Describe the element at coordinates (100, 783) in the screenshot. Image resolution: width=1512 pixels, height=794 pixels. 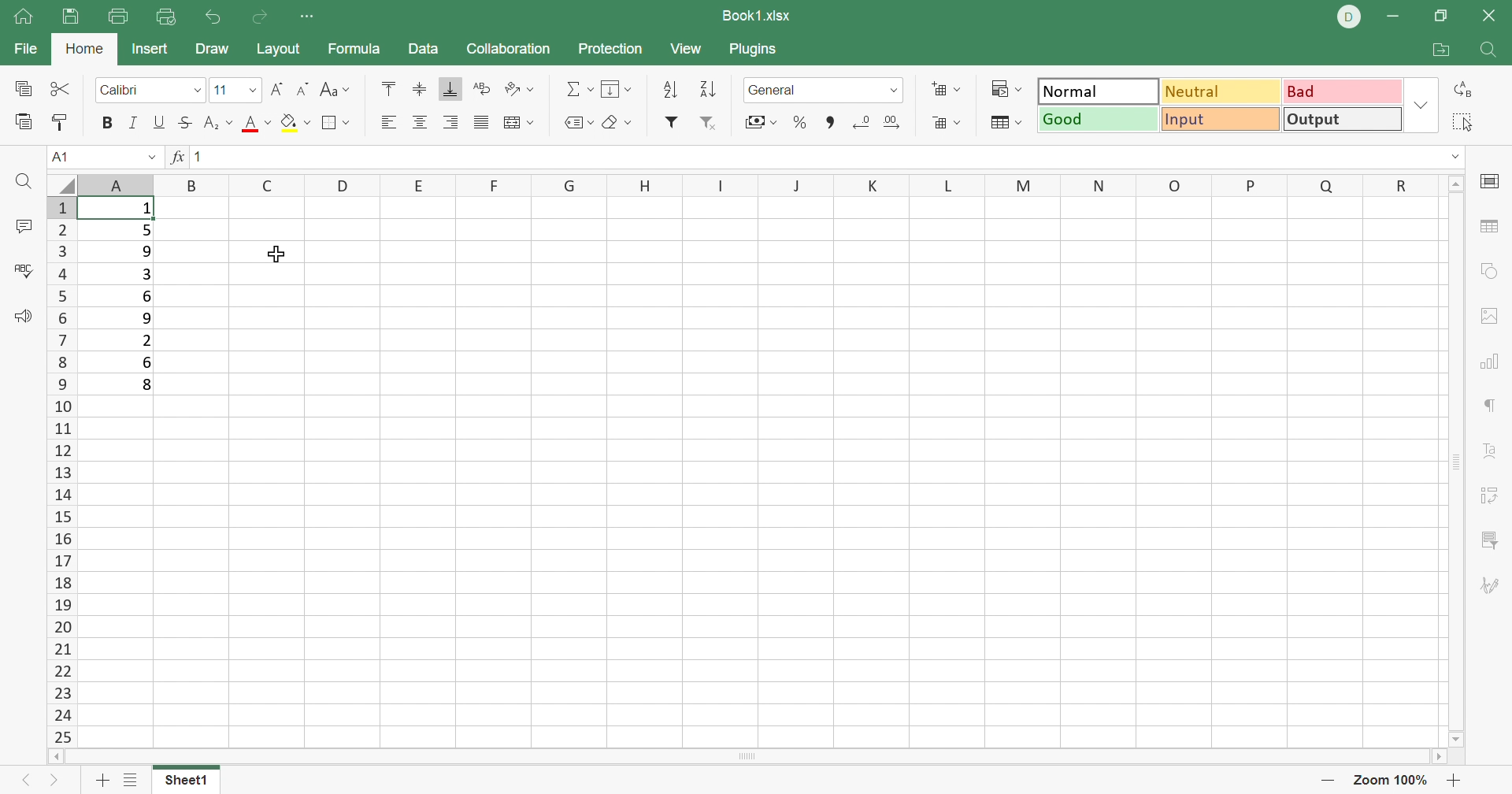
I see `Add sheet` at that location.